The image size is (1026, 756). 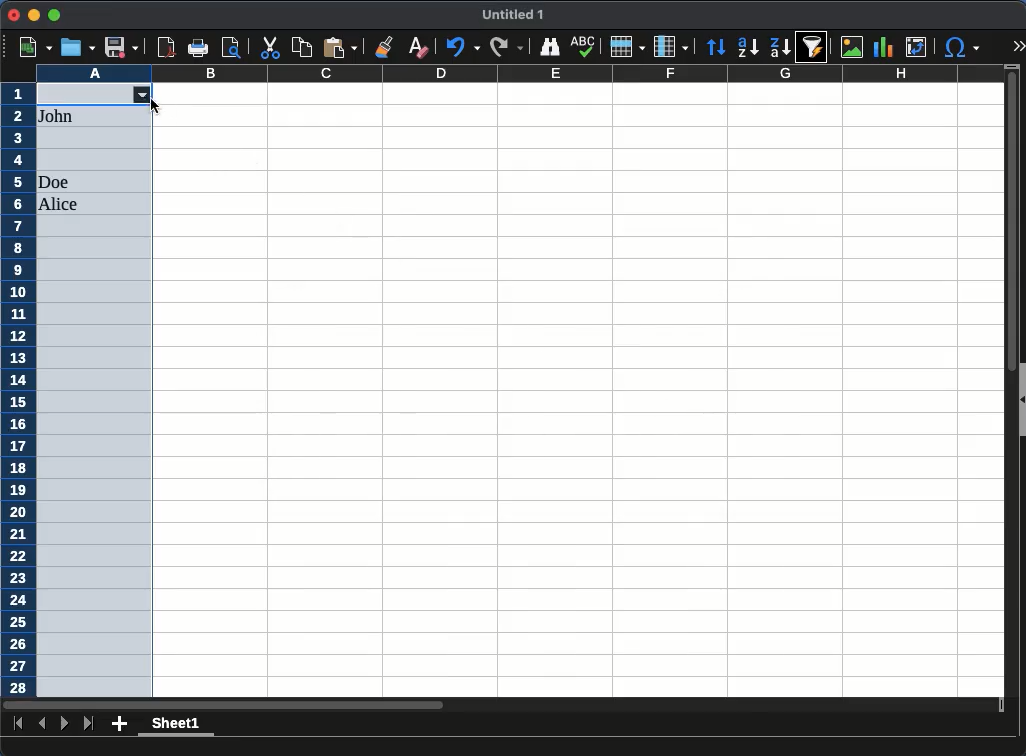 I want to click on close, so click(x=14, y=15).